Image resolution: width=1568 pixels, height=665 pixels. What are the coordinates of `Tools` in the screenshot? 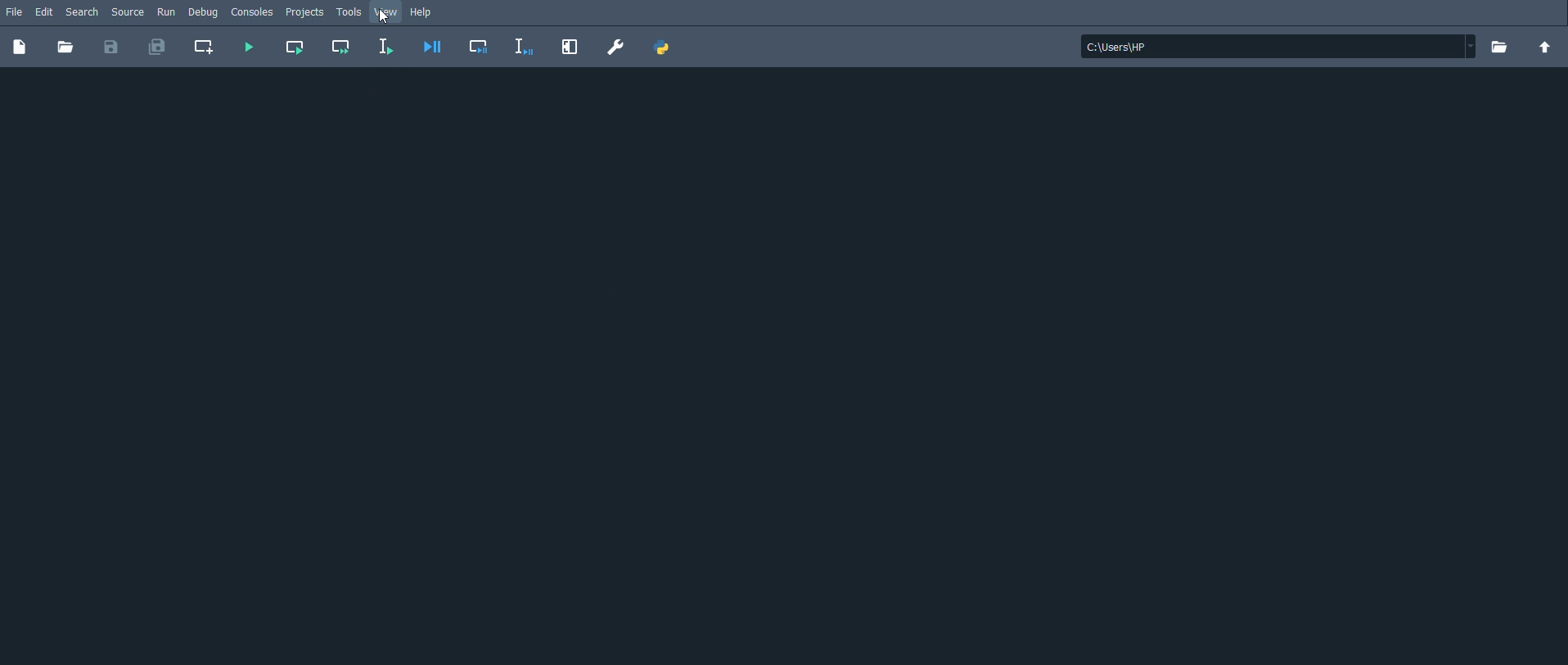 It's located at (349, 11).